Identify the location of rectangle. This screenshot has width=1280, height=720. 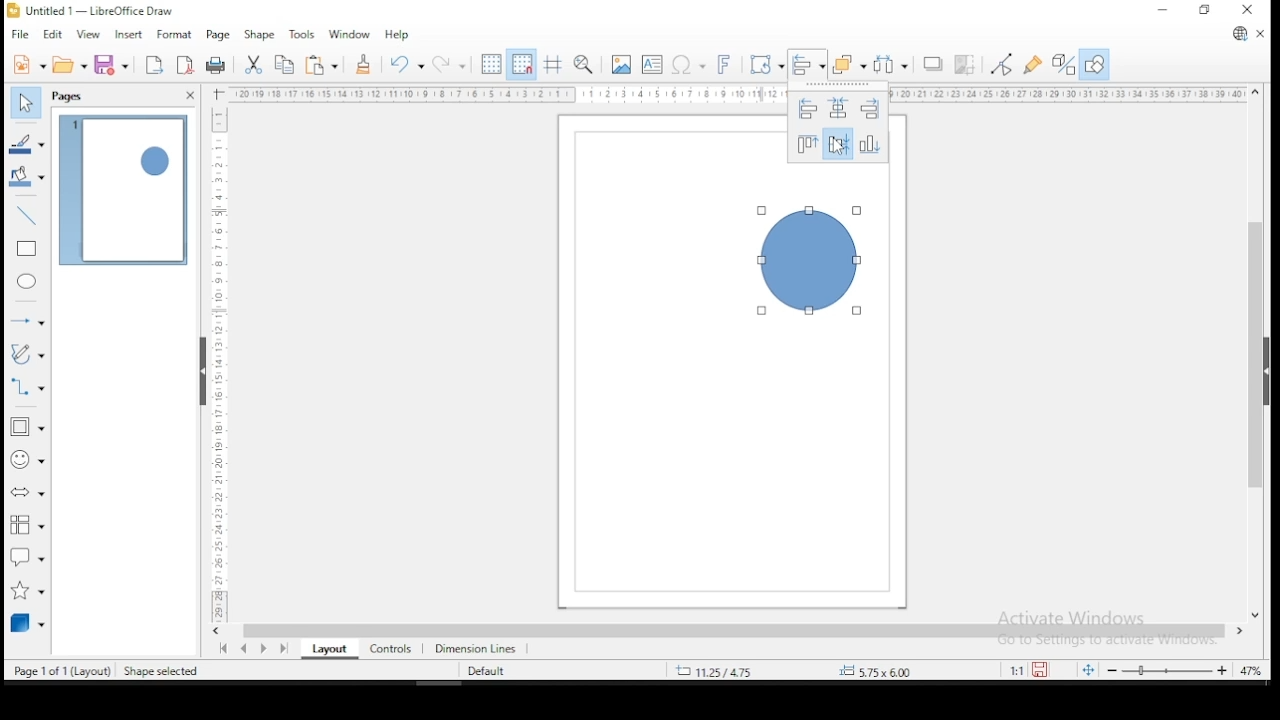
(28, 249).